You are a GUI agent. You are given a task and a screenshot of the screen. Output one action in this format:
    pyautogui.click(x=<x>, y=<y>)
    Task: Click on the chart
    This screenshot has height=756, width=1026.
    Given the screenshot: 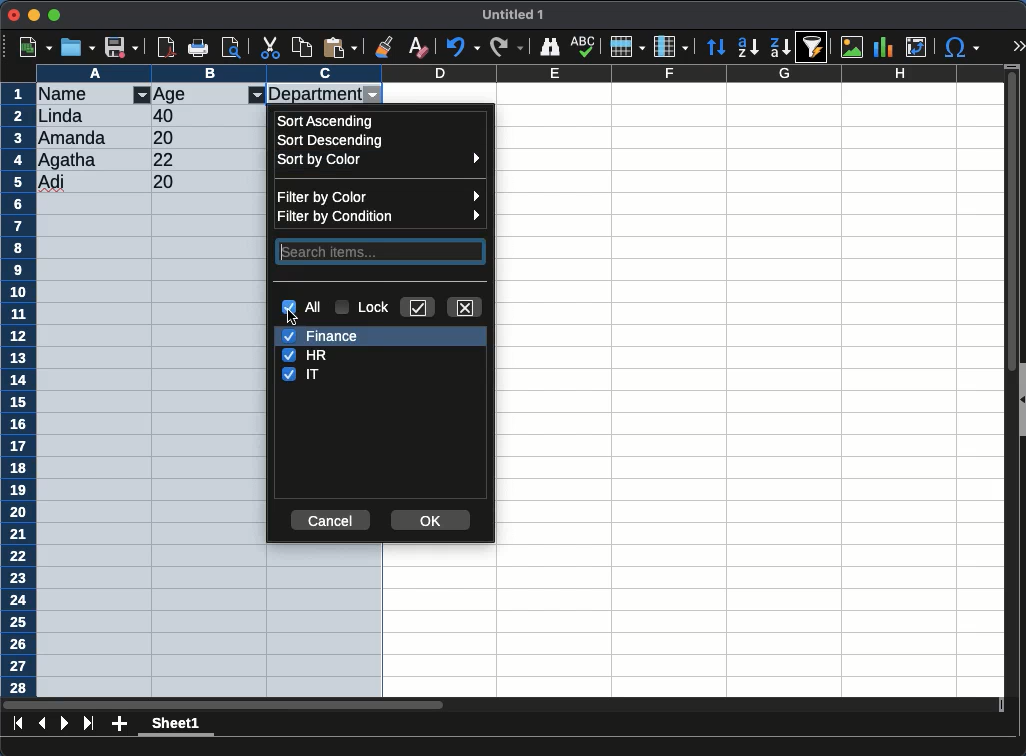 What is the action you would take?
    pyautogui.click(x=884, y=47)
    